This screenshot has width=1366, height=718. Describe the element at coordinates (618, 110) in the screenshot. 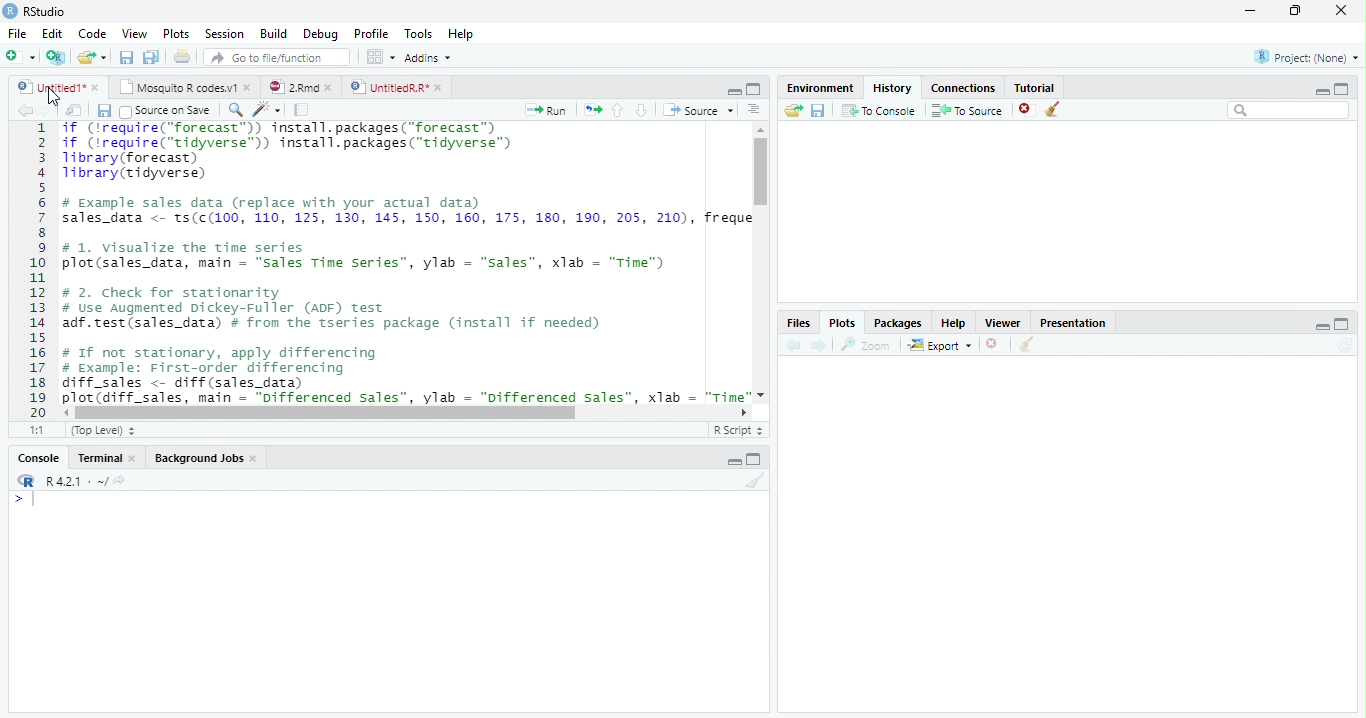

I see `Up` at that location.